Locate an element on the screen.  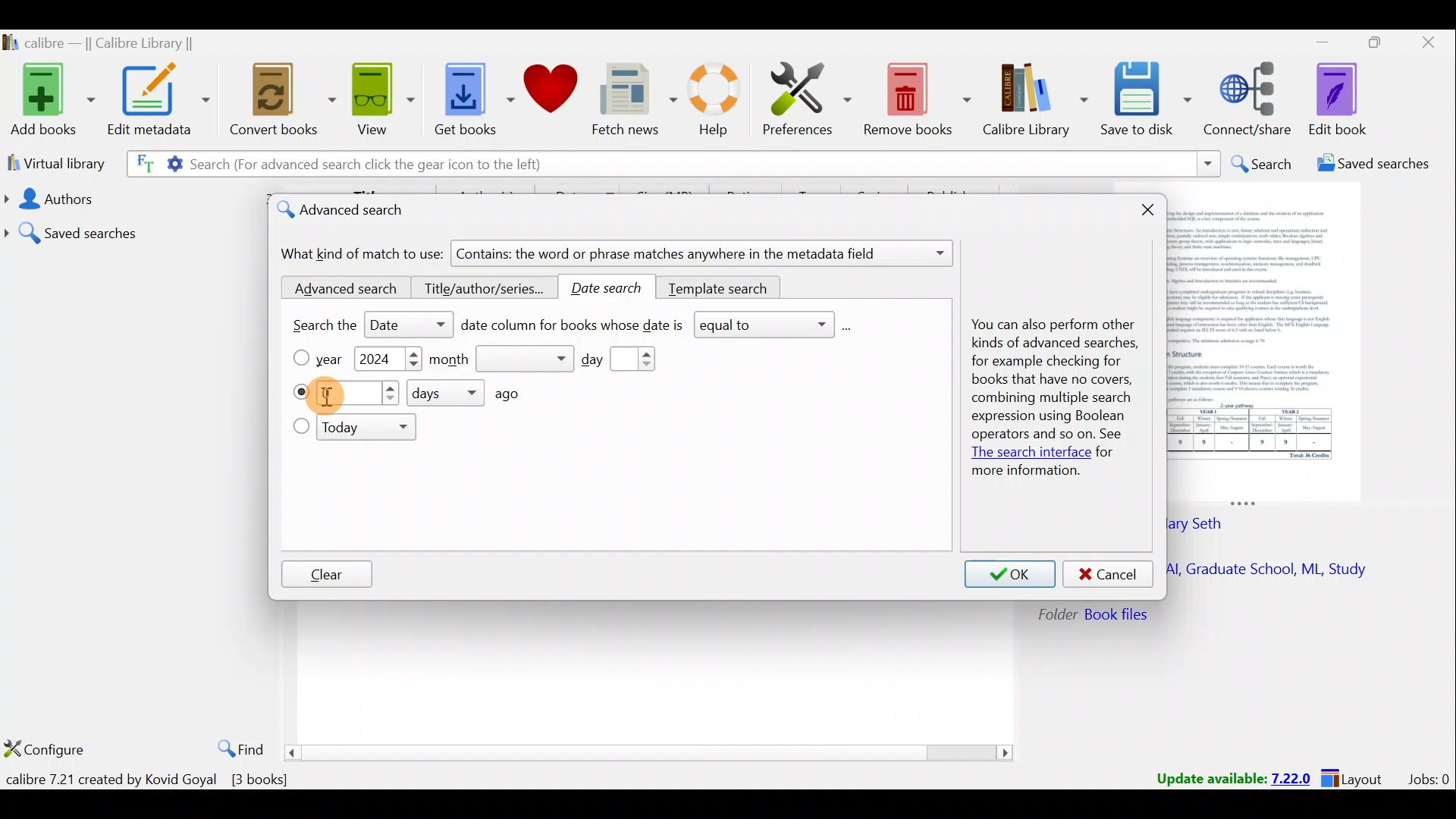
Date search is located at coordinates (613, 288).